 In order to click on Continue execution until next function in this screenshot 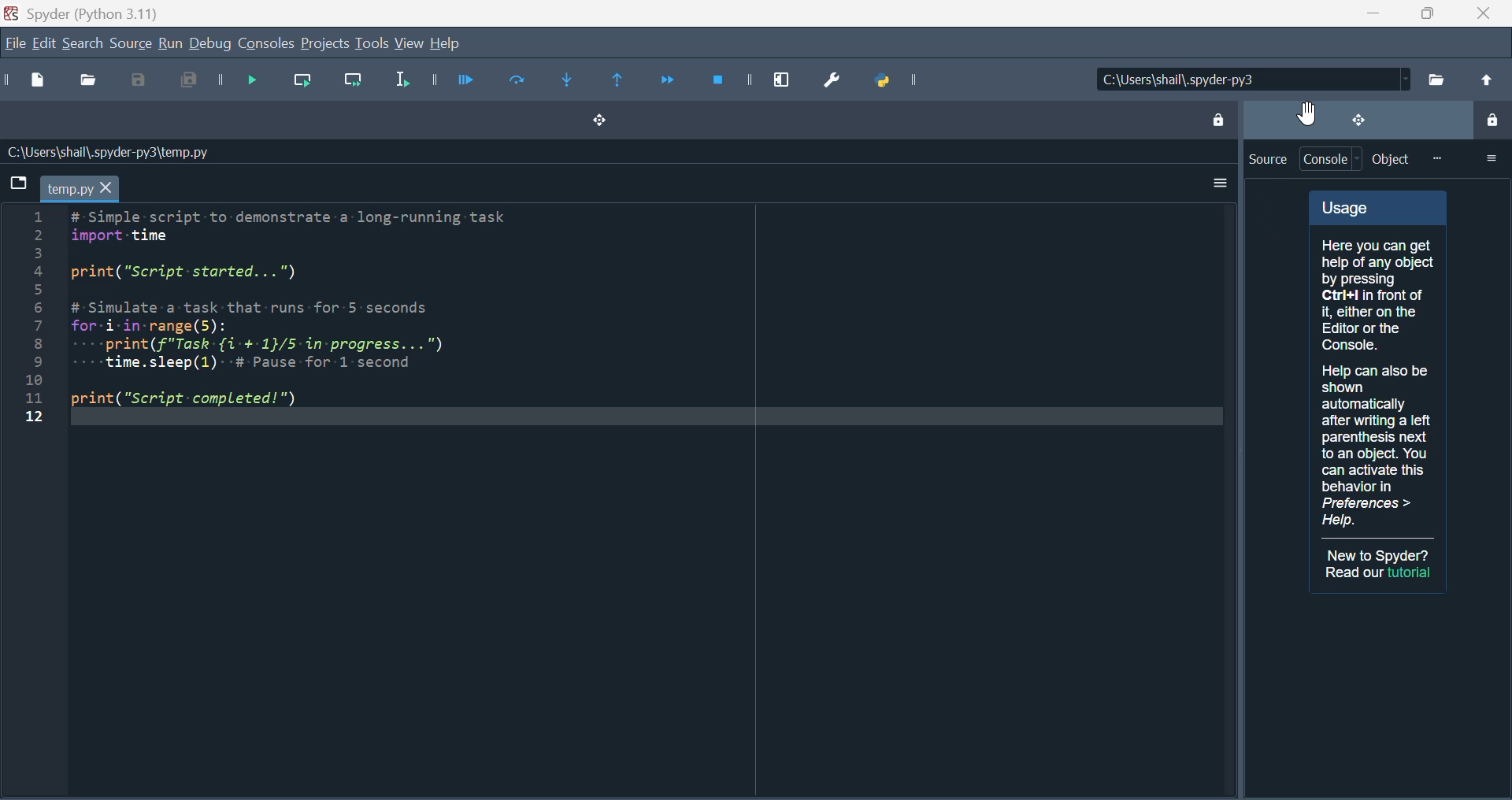, I will do `click(667, 80)`.